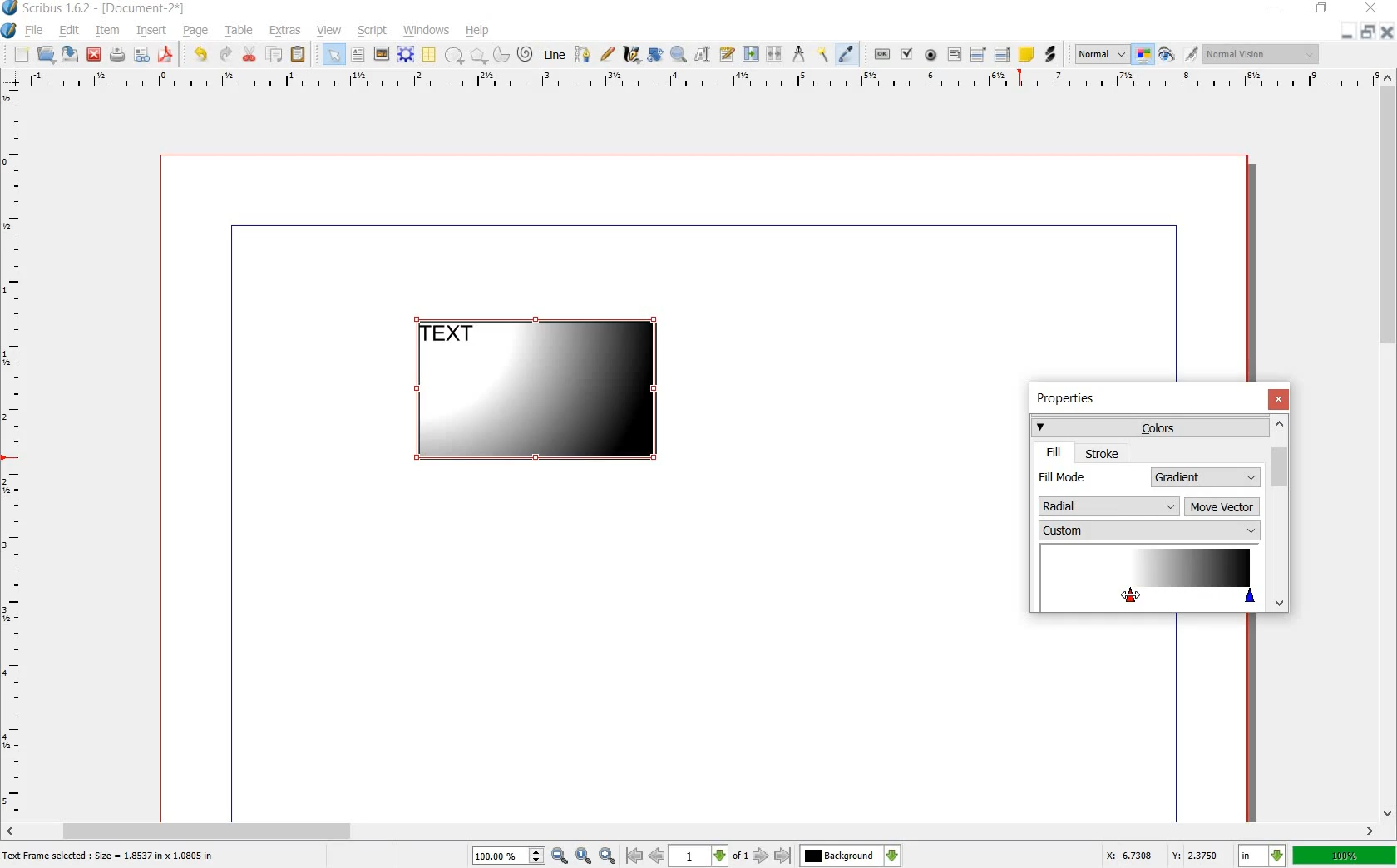 The height and width of the screenshot is (868, 1397). What do you see at coordinates (1275, 8) in the screenshot?
I see `minimize` at bounding box center [1275, 8].